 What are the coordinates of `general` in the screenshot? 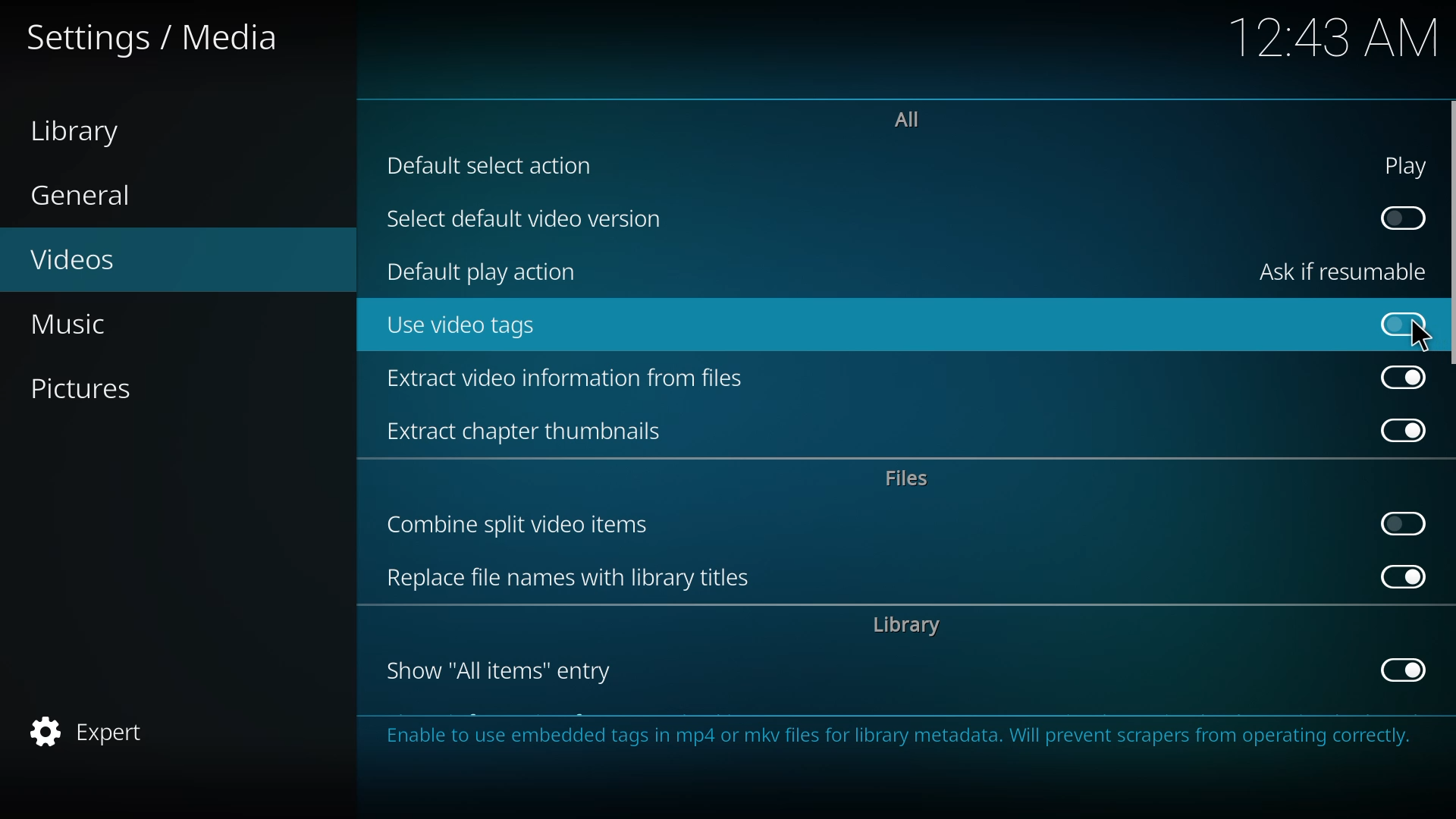 It's located at (85, 197).